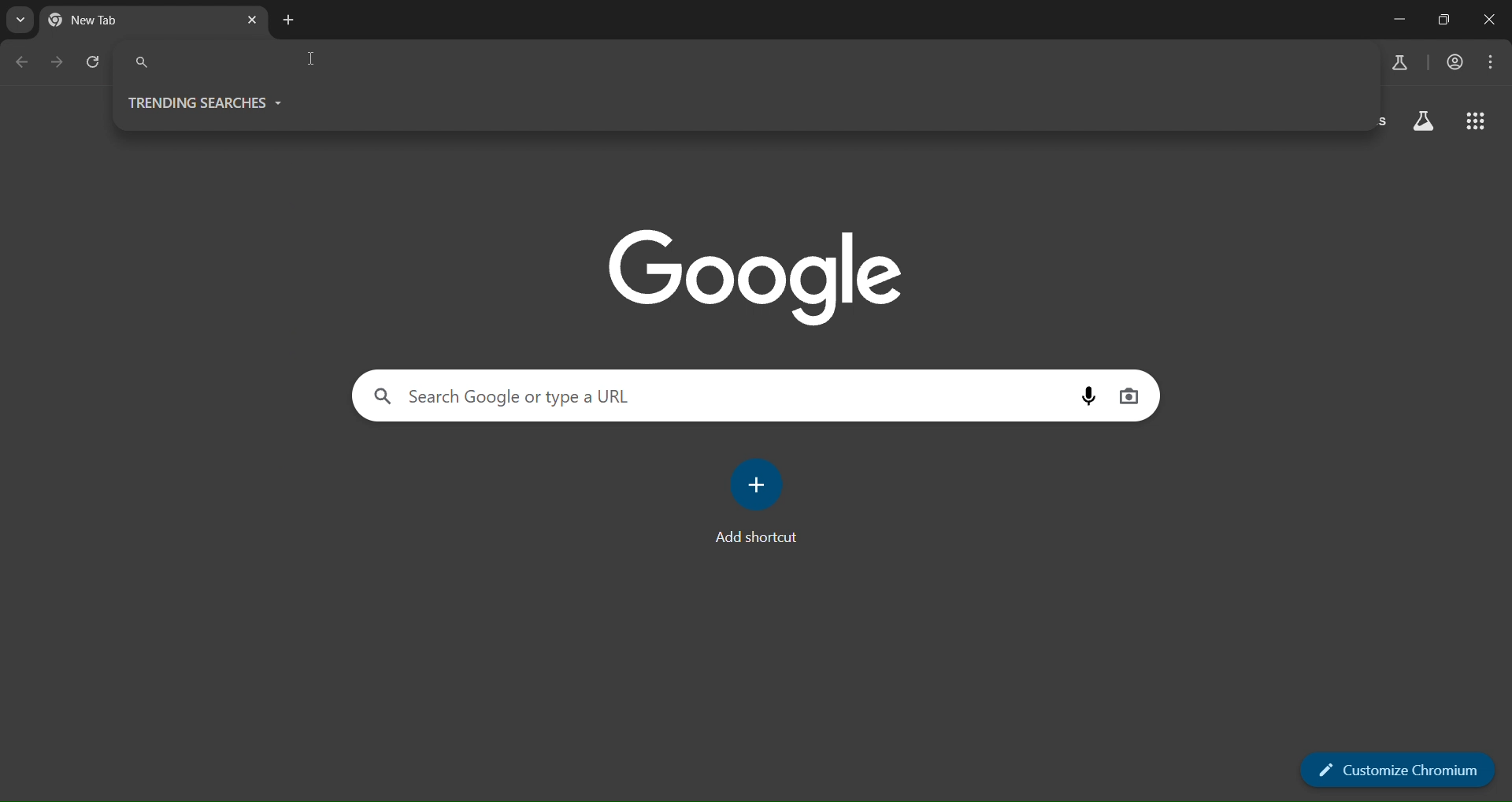 The width and height of the screenshot is (1512, 802). Describe the element at coordinates (1492, 62) in the screenshot. I see `menu` at that location.